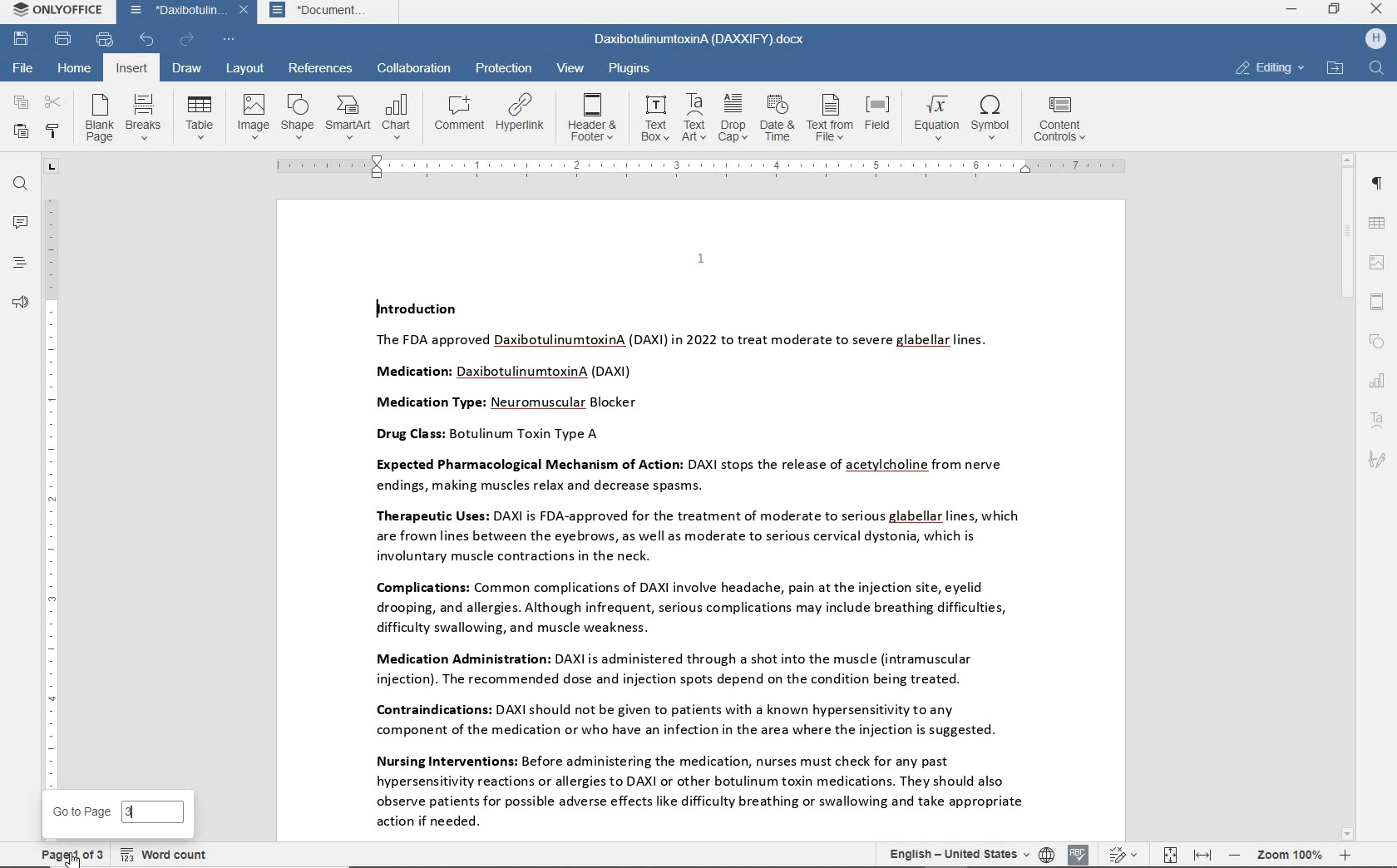 The width and height of the screenshot is (1397, 868). I want to click on 3, so click(155, 813).